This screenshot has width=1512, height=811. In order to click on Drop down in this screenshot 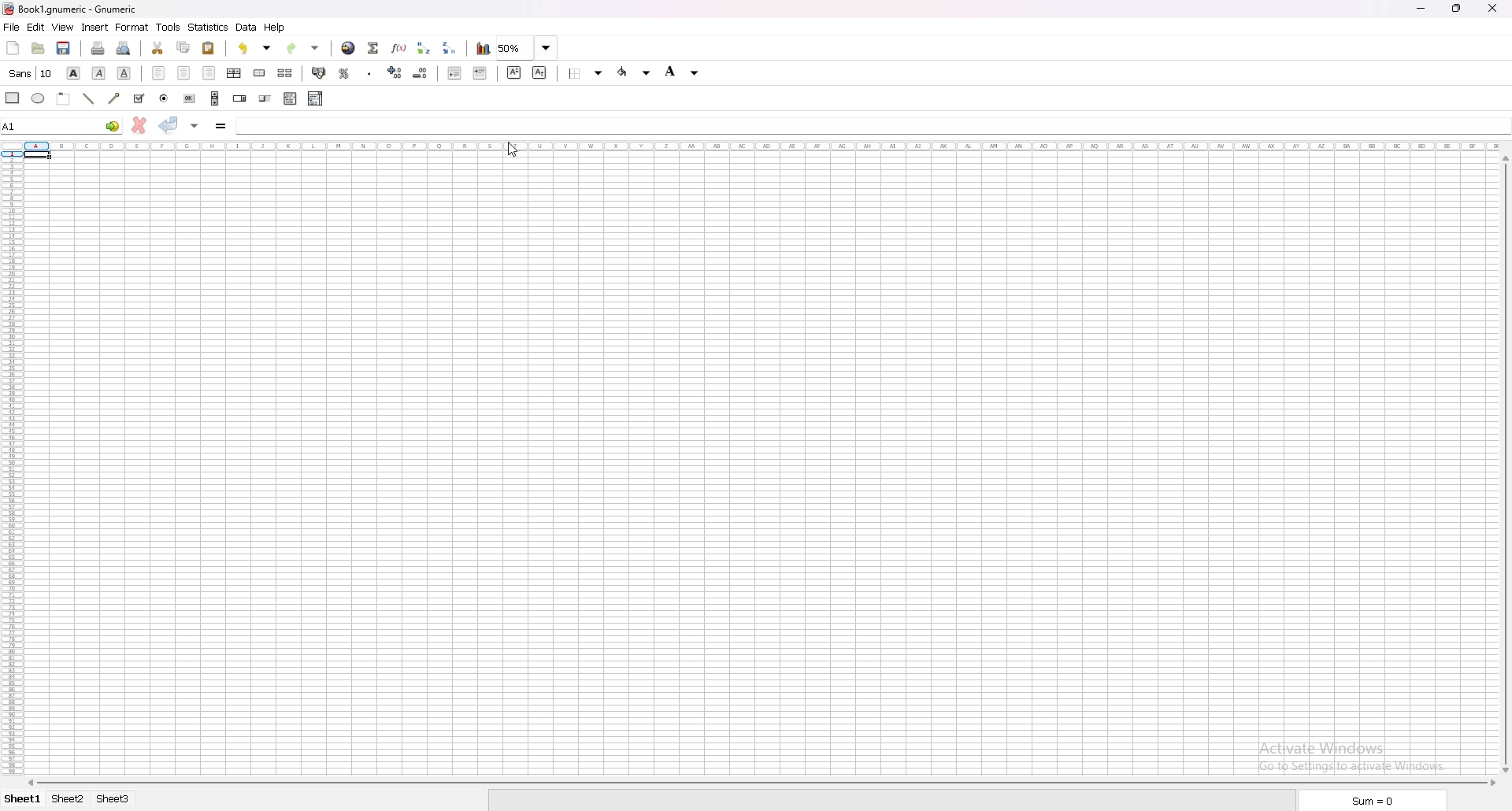, I will do `click(600, 72)`.